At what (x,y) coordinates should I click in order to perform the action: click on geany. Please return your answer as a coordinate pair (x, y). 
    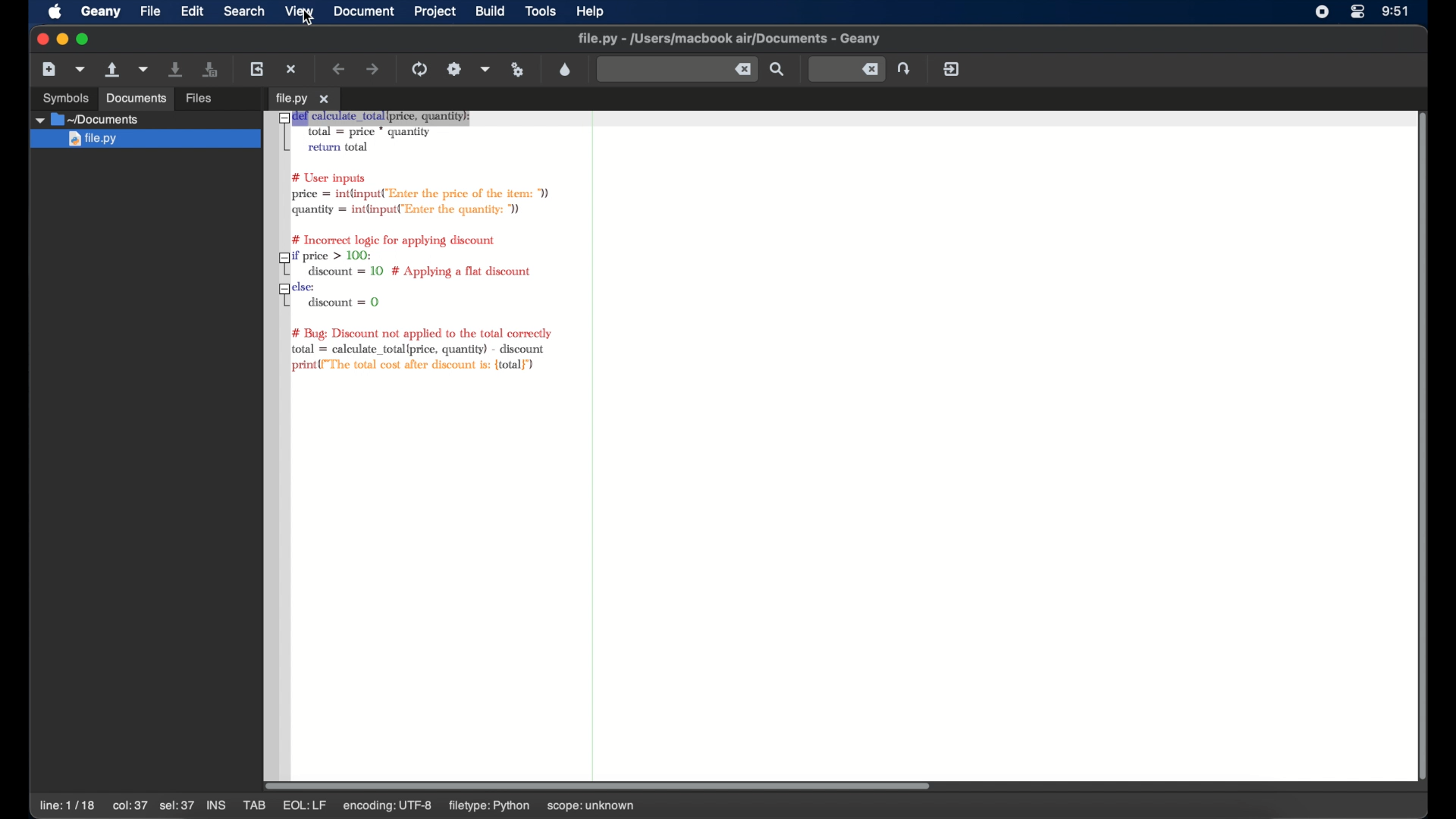
    Looking at the image, I should click on (100, 12).